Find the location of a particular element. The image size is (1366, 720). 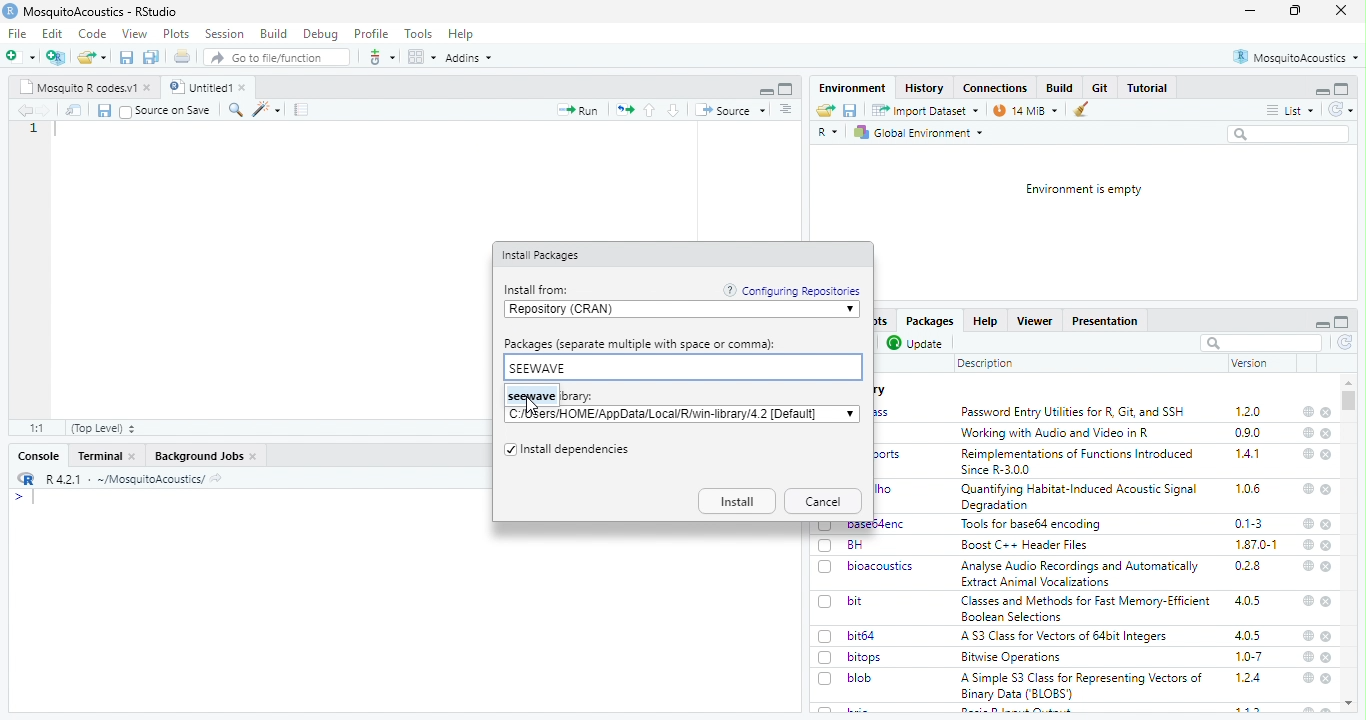

close is located at coordinates (1327, 491).